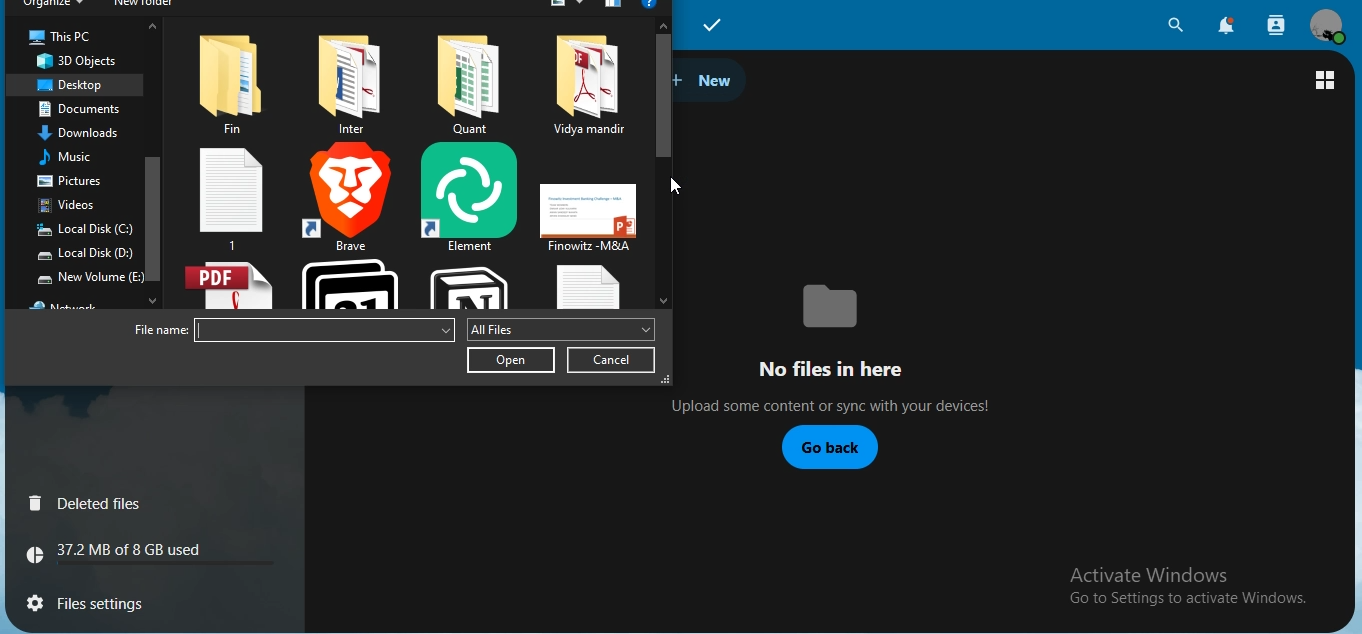  I want to click on ile, so click(353, 84).